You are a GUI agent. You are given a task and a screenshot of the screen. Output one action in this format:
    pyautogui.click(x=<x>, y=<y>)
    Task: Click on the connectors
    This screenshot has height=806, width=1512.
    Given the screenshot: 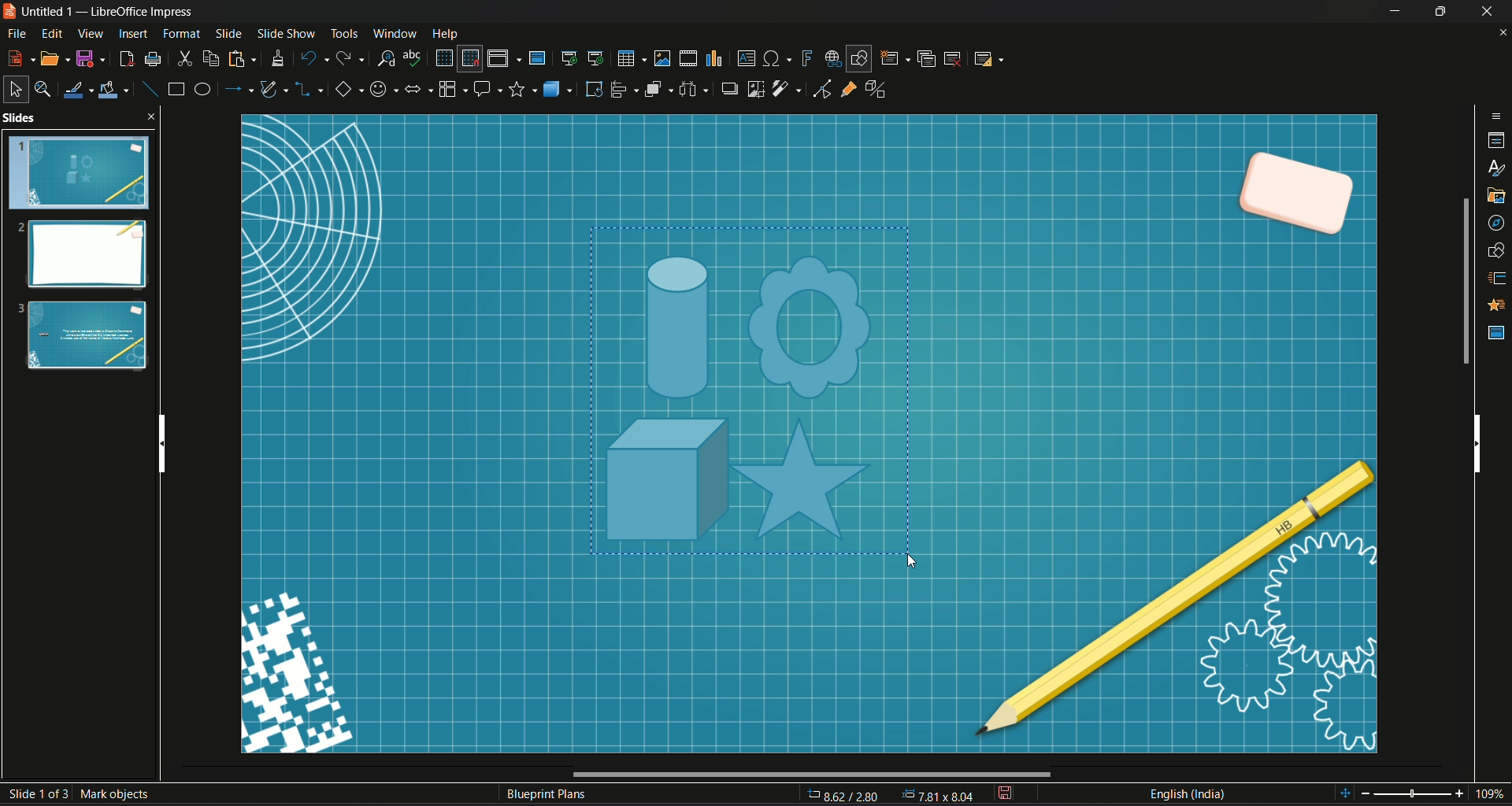 What is the action you would take?
    pyautogui.click(x=309, y=91)
    